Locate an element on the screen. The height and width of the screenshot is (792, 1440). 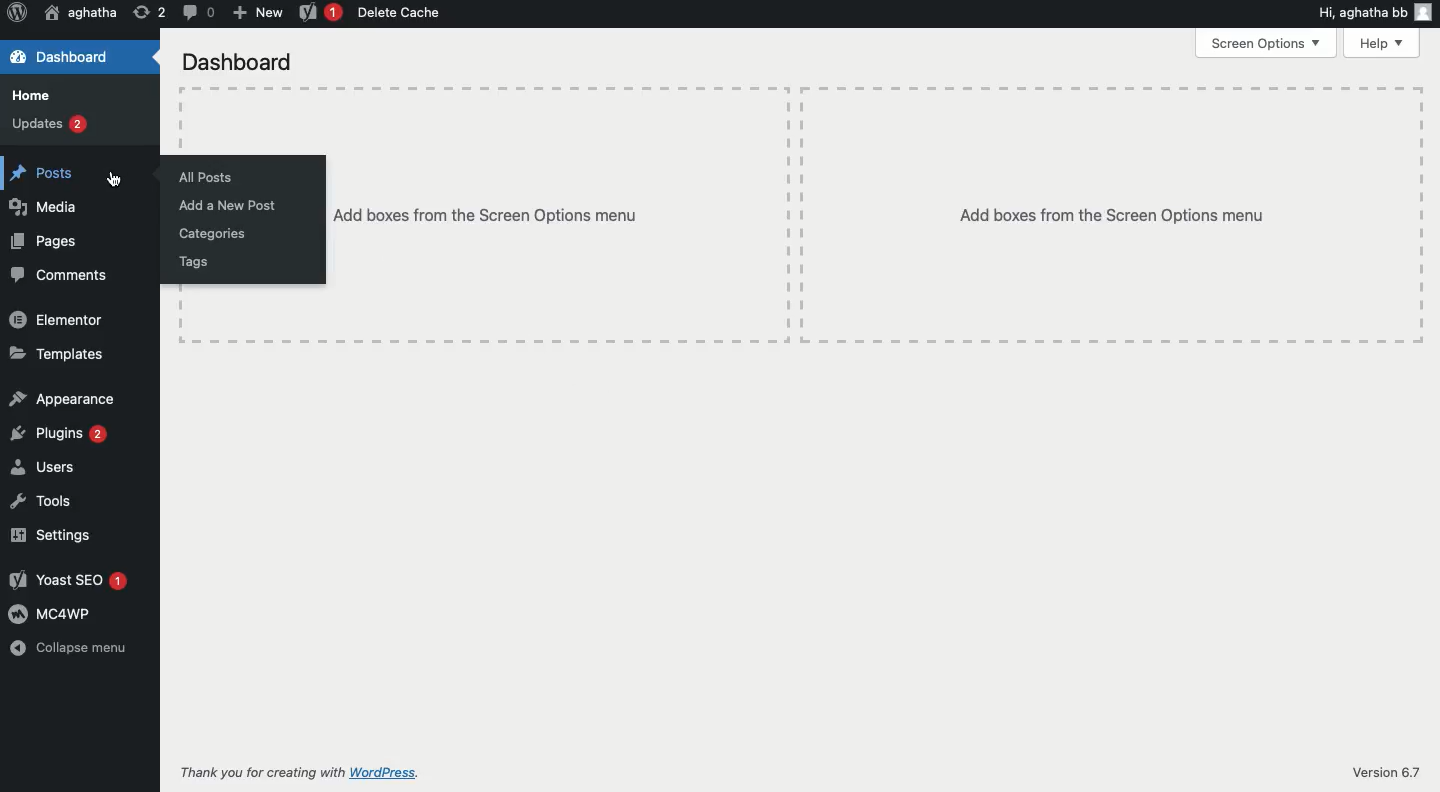
New is located at coordinates (257, 13).